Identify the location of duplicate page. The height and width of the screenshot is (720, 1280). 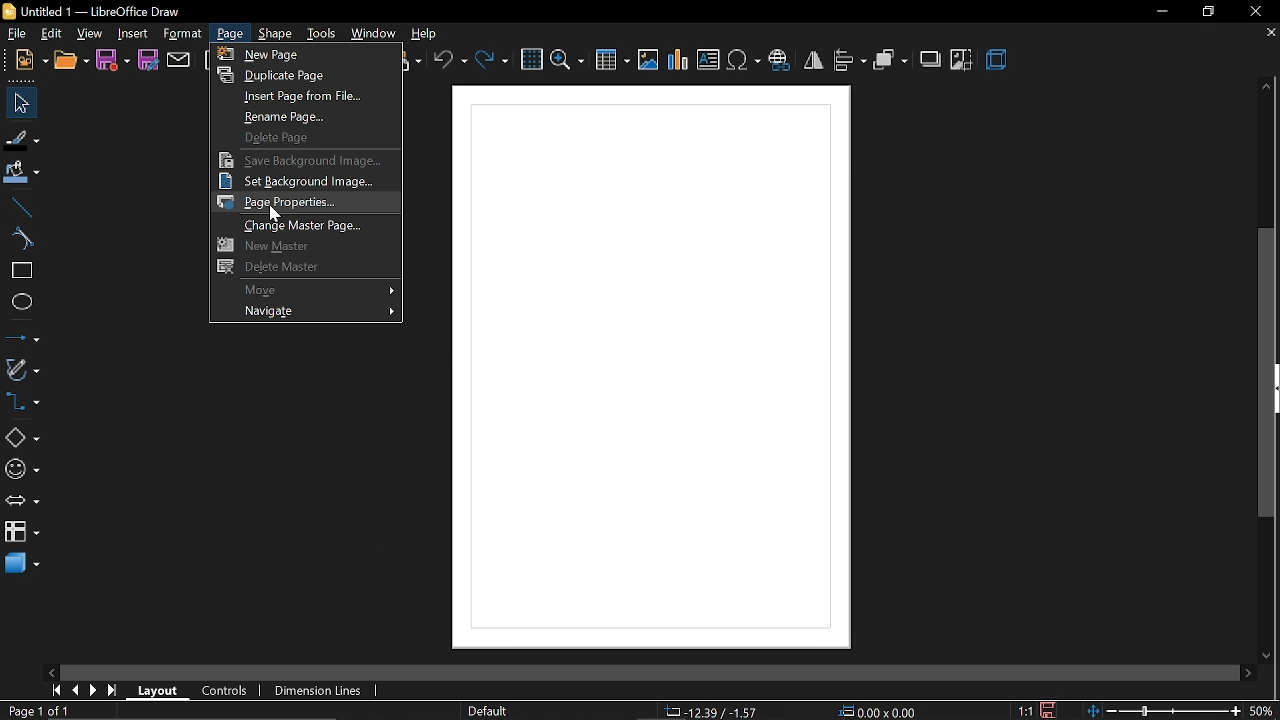
(306, 75).